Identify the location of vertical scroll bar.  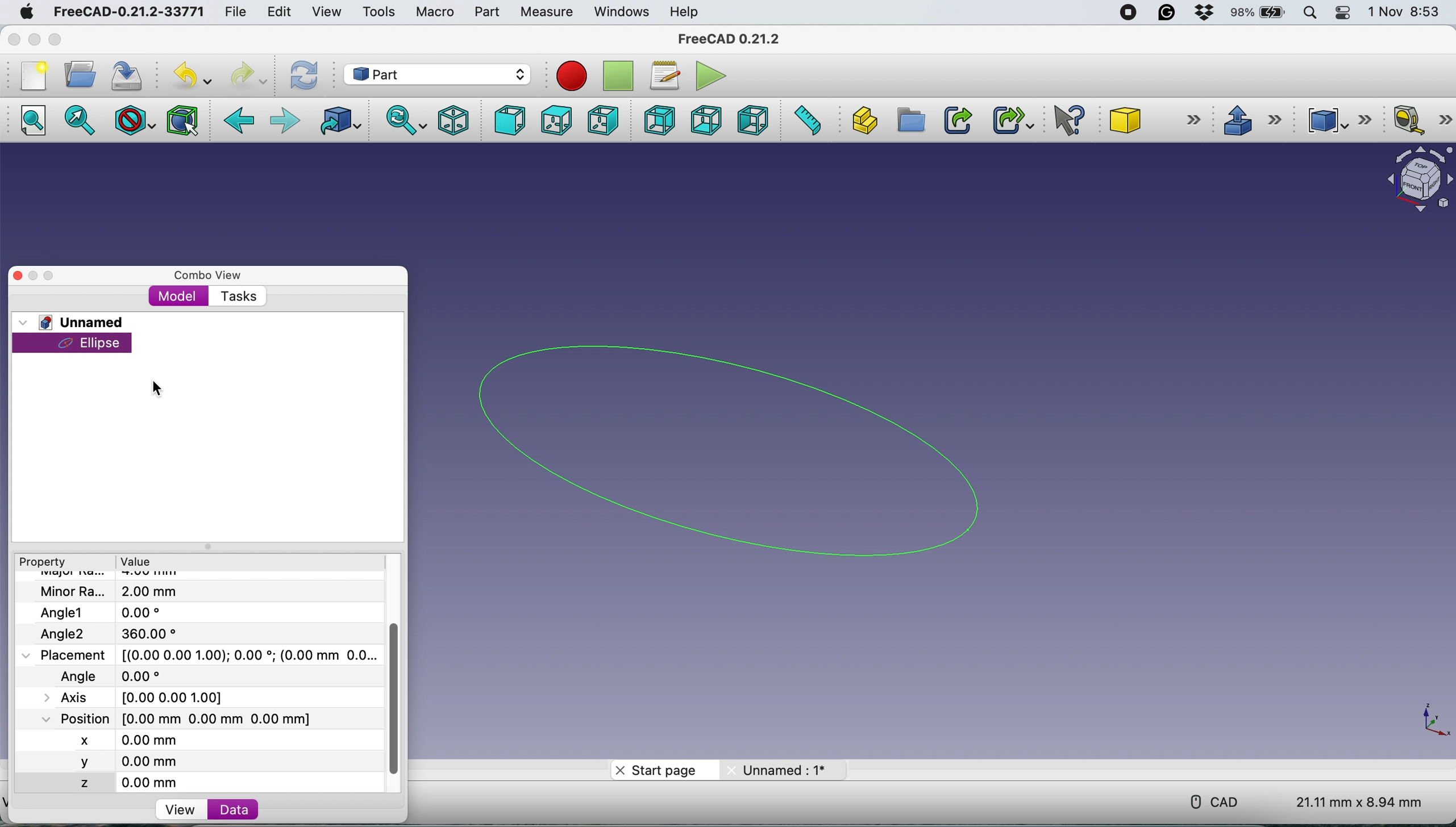
(396, 697).